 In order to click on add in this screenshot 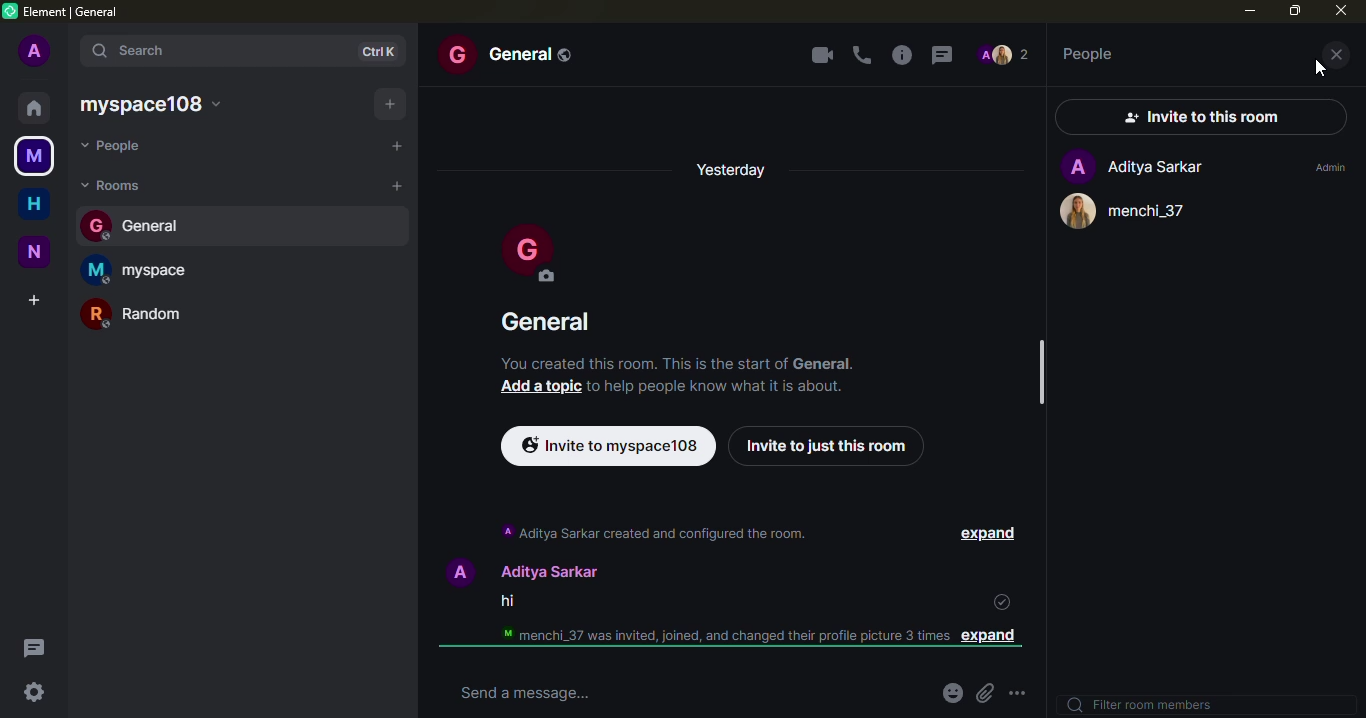, I will do `click(385, 103)`.